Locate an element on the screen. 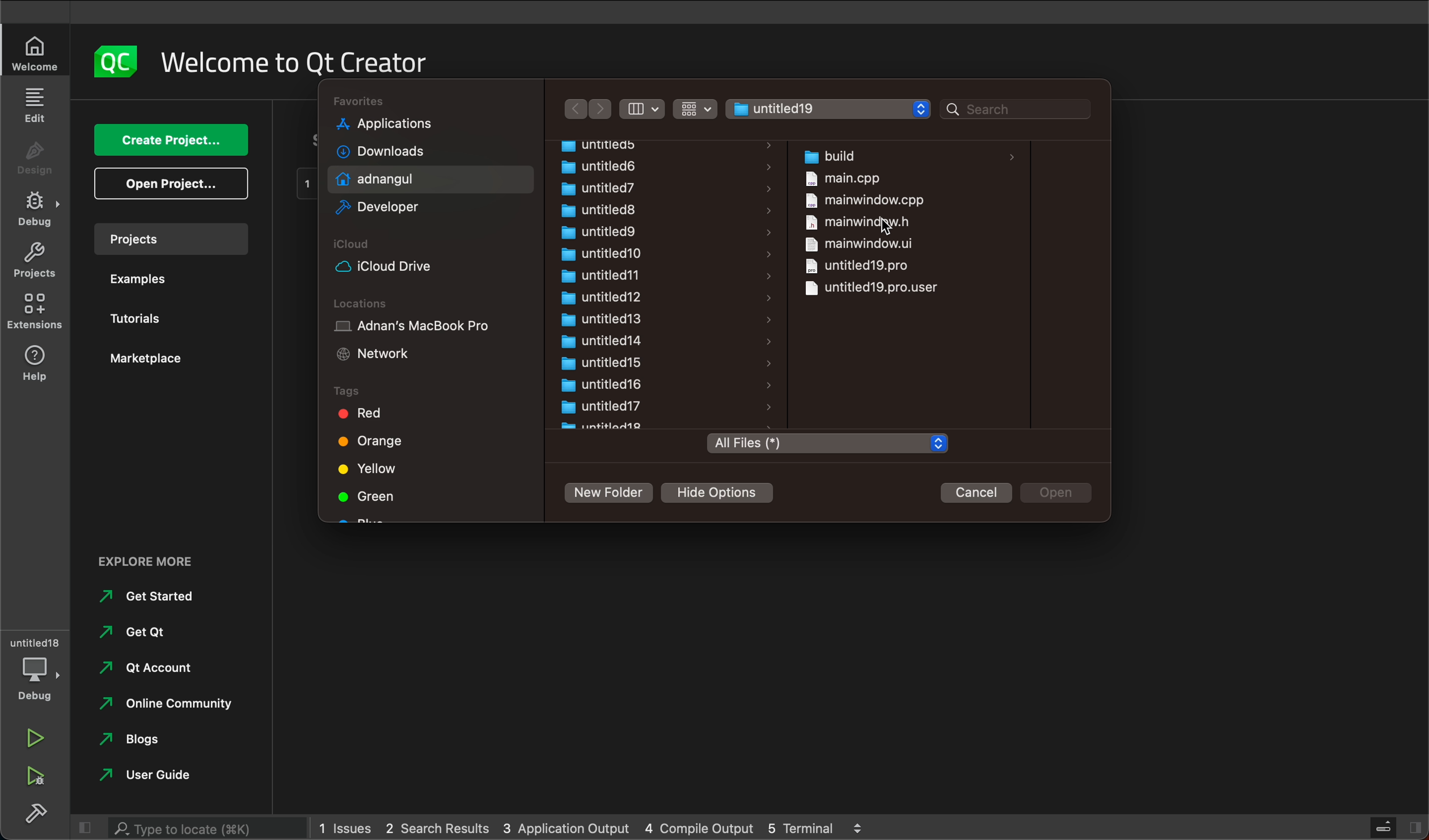 The width and height of the screenshot is (1429, 840). qt account is located at coordinates (150, 668).